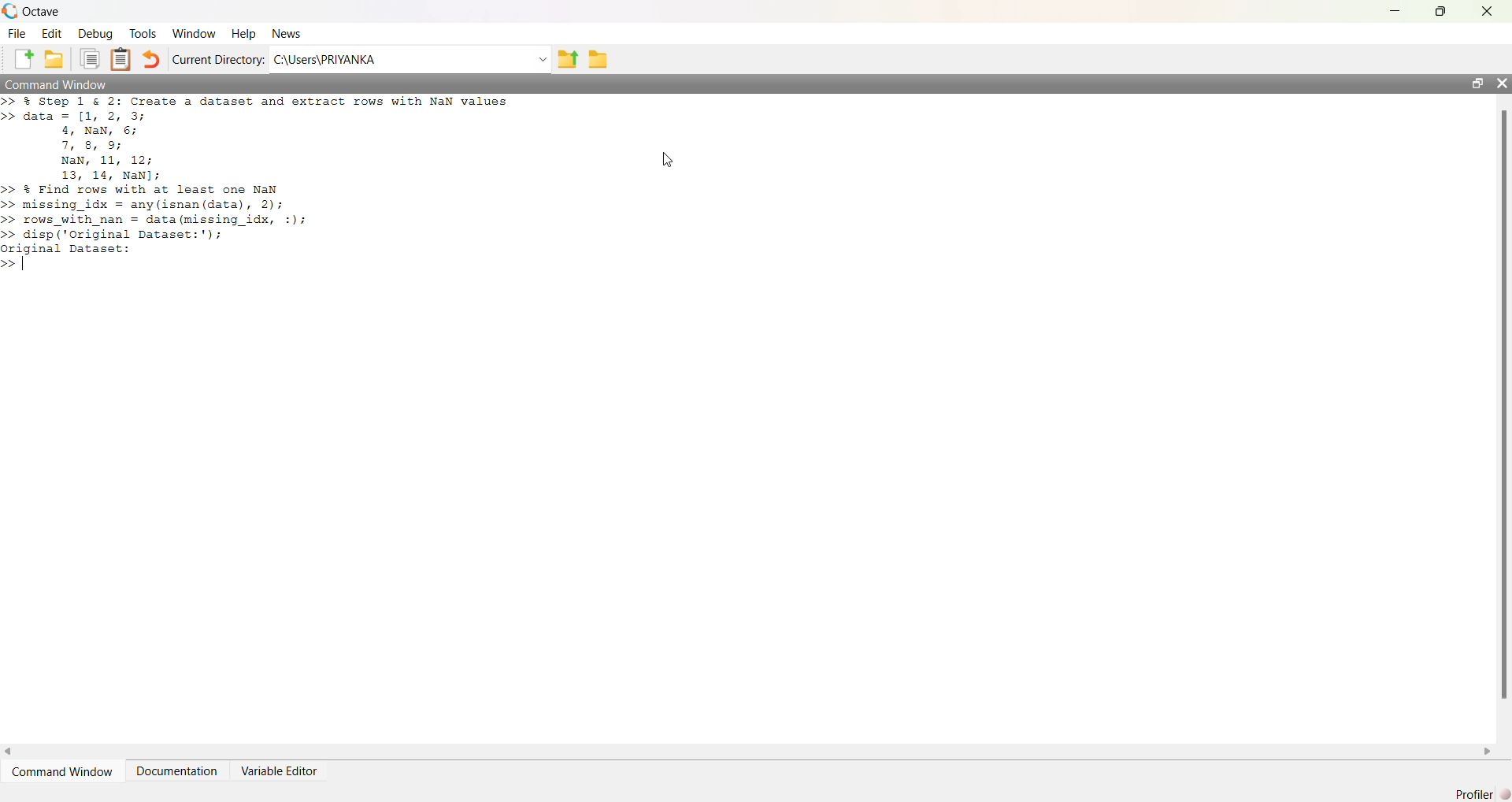  Describe the element at coordinates (90, 59) in the screenshot. I see `Duplicate` at that location.